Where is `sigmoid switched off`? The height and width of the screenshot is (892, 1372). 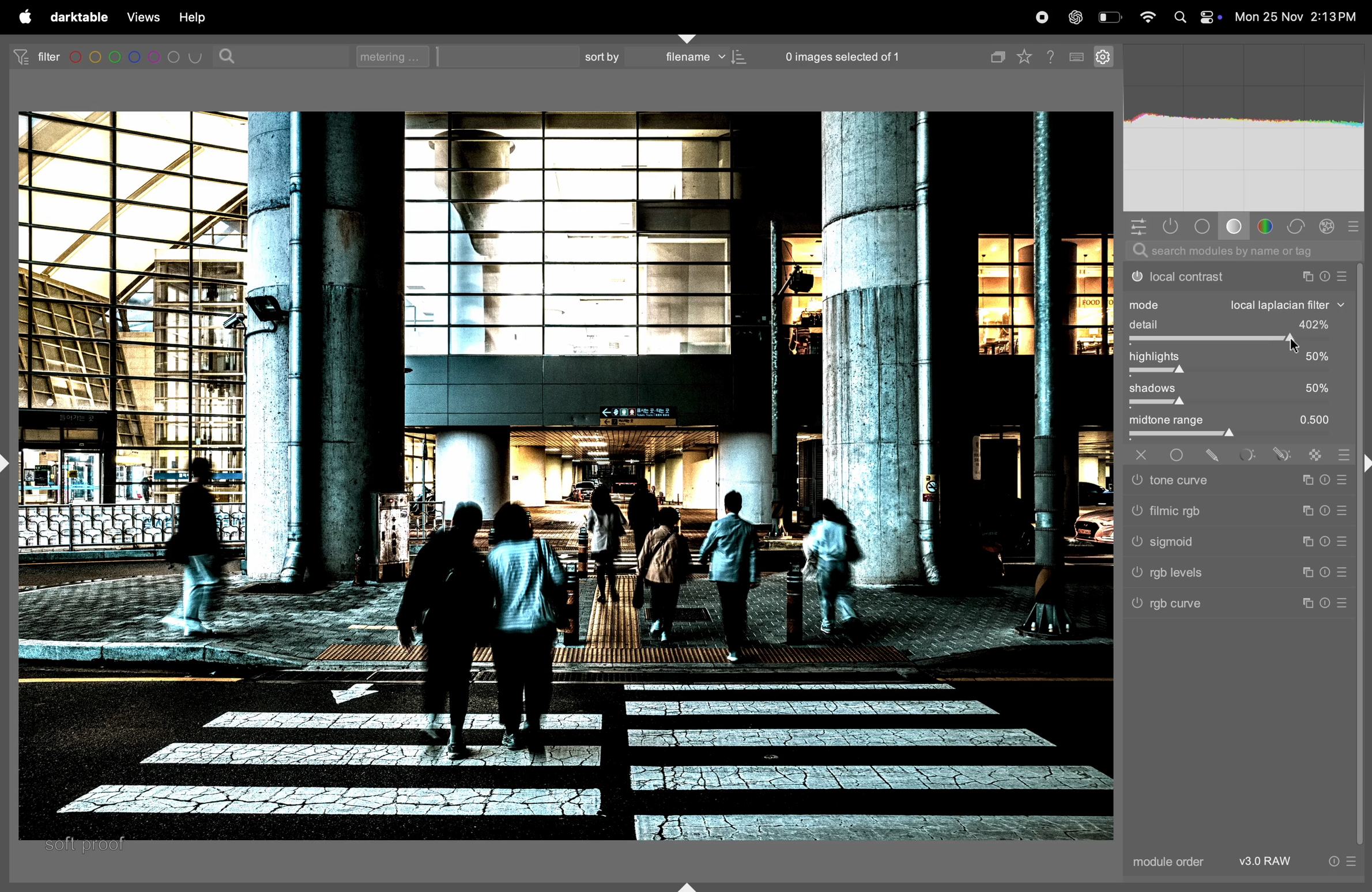 sigmoid switched off is located at coordinates (1134, 544).